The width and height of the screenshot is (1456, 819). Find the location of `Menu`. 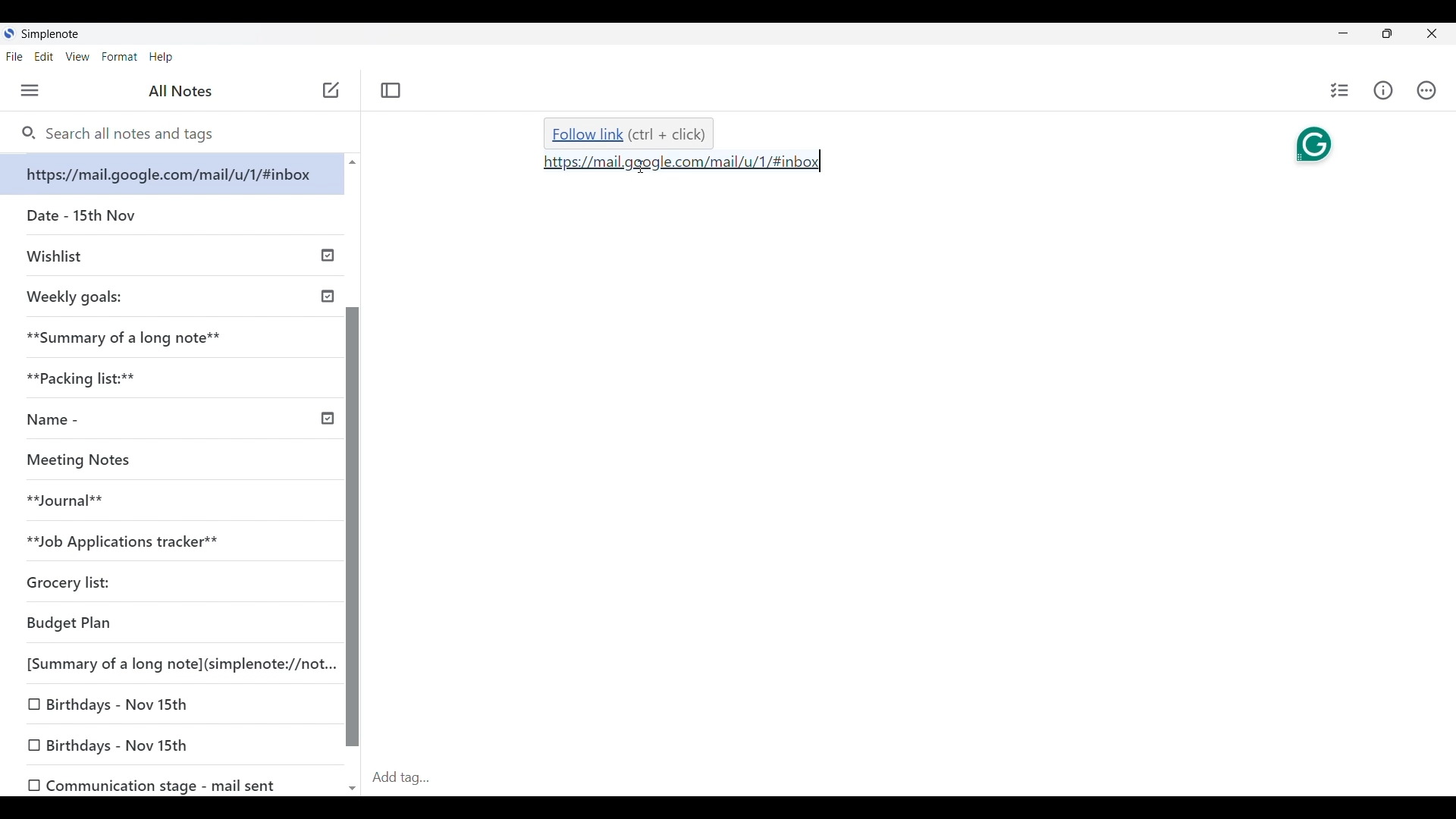

Menu is located at coordinates (30, 90).